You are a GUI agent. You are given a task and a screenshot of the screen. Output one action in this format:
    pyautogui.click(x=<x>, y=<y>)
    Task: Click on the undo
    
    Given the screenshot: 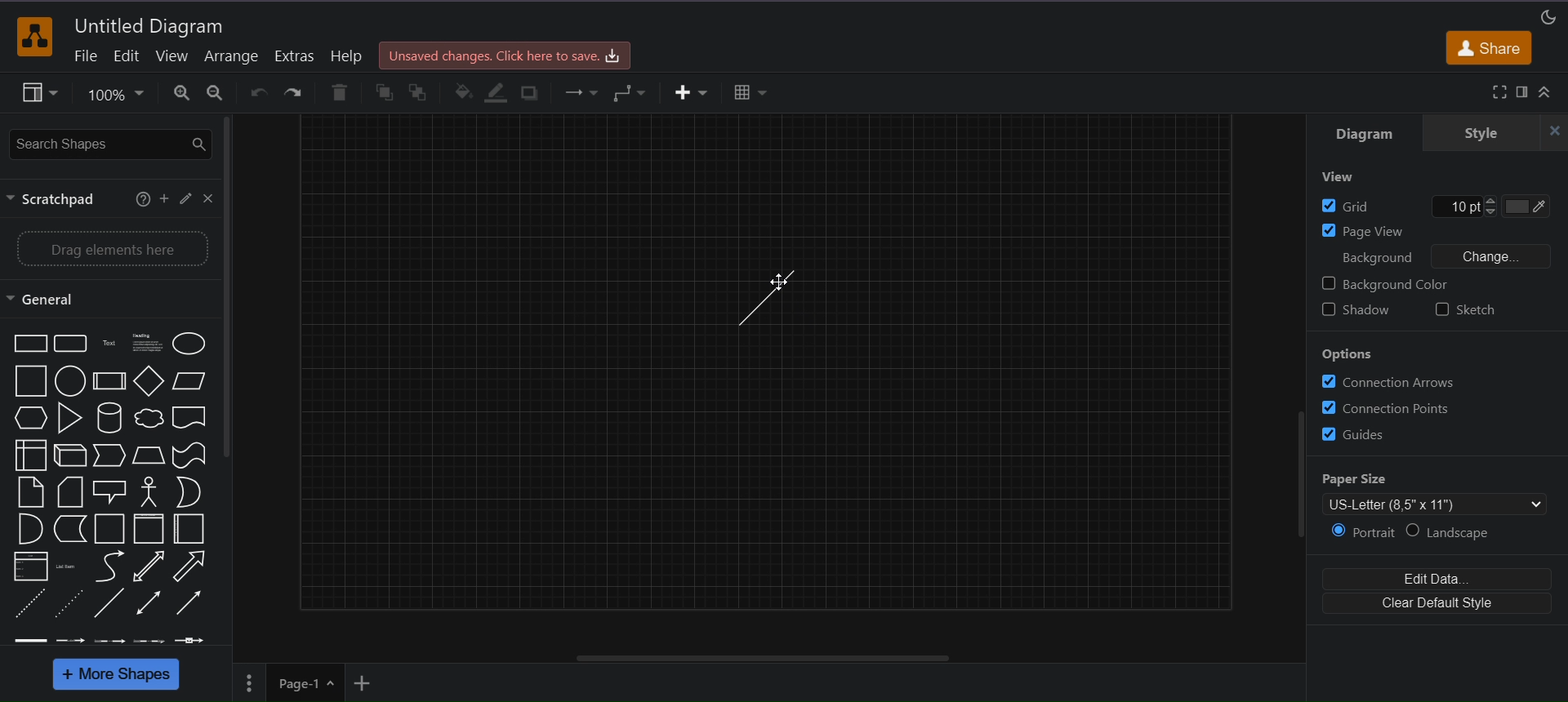 What is the action you would take?
    pyautogui.click(x=258, y=92)
    